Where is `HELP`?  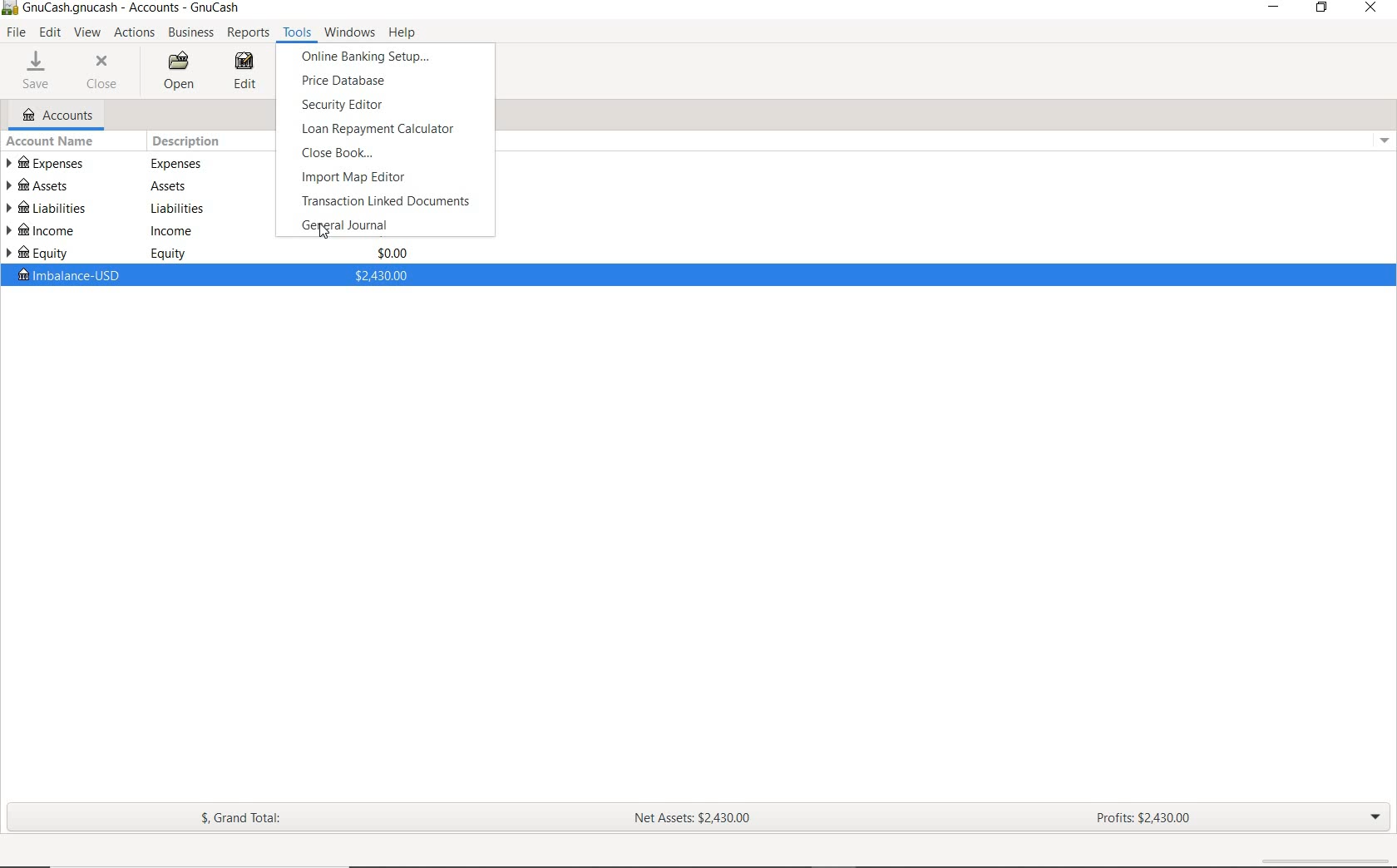 HELP is located at coordinates (400, 32).